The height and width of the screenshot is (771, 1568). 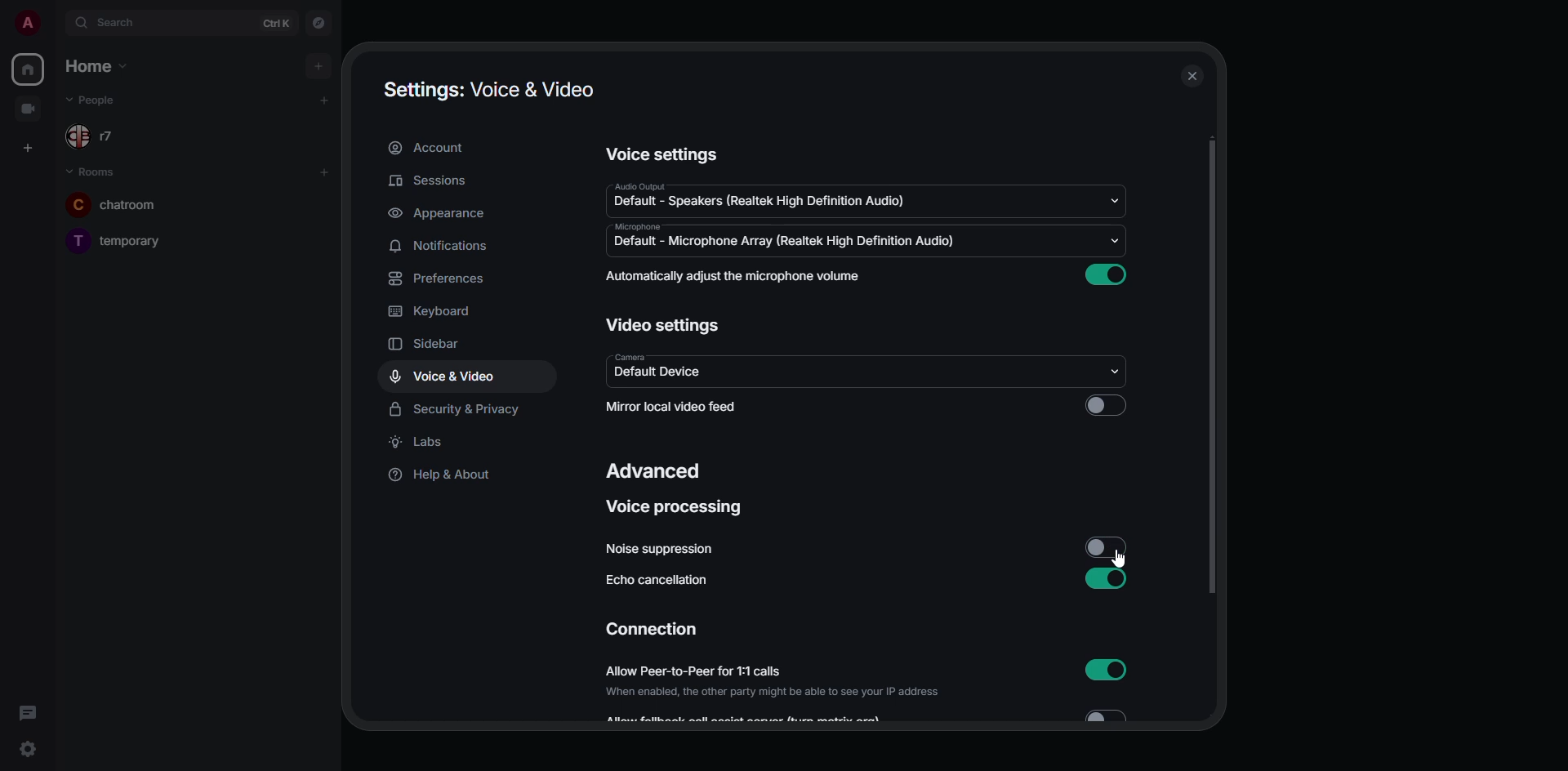 What do you see at coordinates (1115, 240) in the screenshot?
I see `drop down` at bounding box center [1115, 240].